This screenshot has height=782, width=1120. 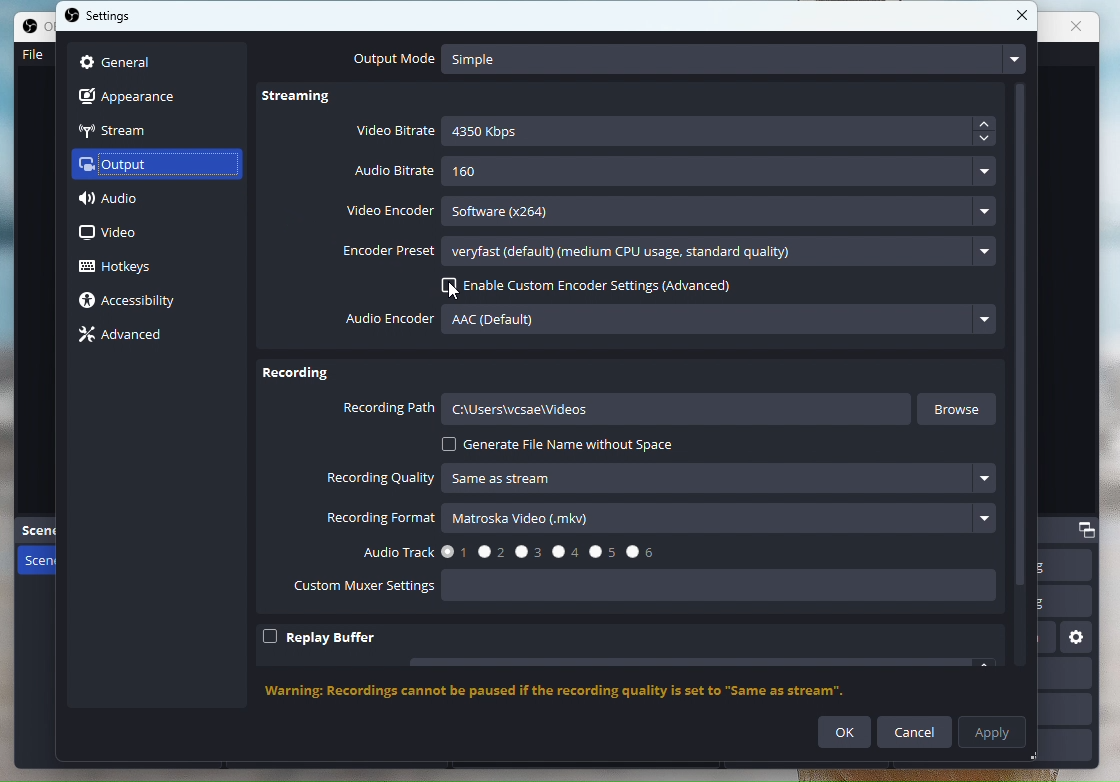 I want to click on Video Bitrate, so click(x=677, y=133).